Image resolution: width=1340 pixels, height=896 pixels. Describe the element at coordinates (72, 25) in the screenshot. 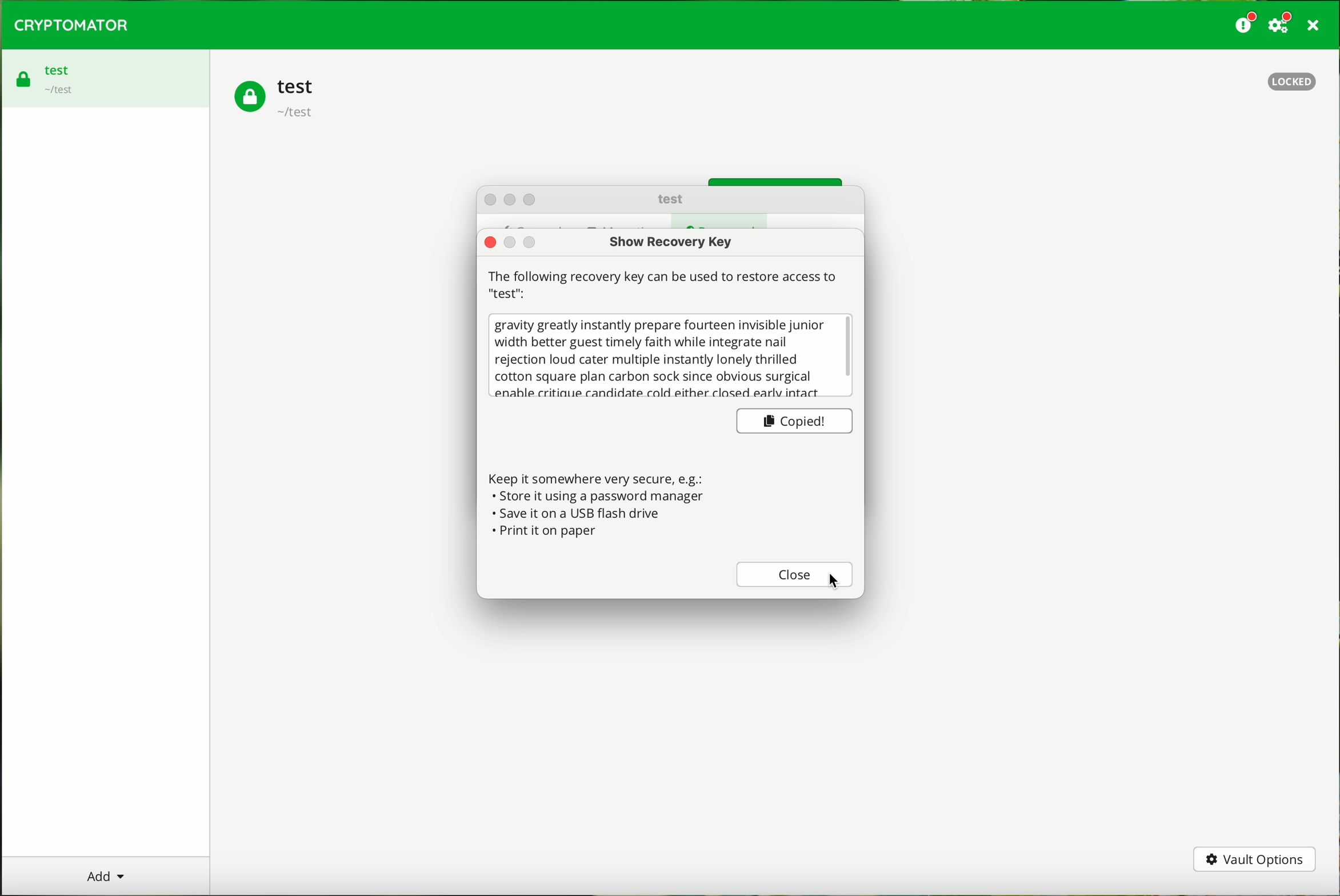

I see `CRYPTOMATOR` at that location.